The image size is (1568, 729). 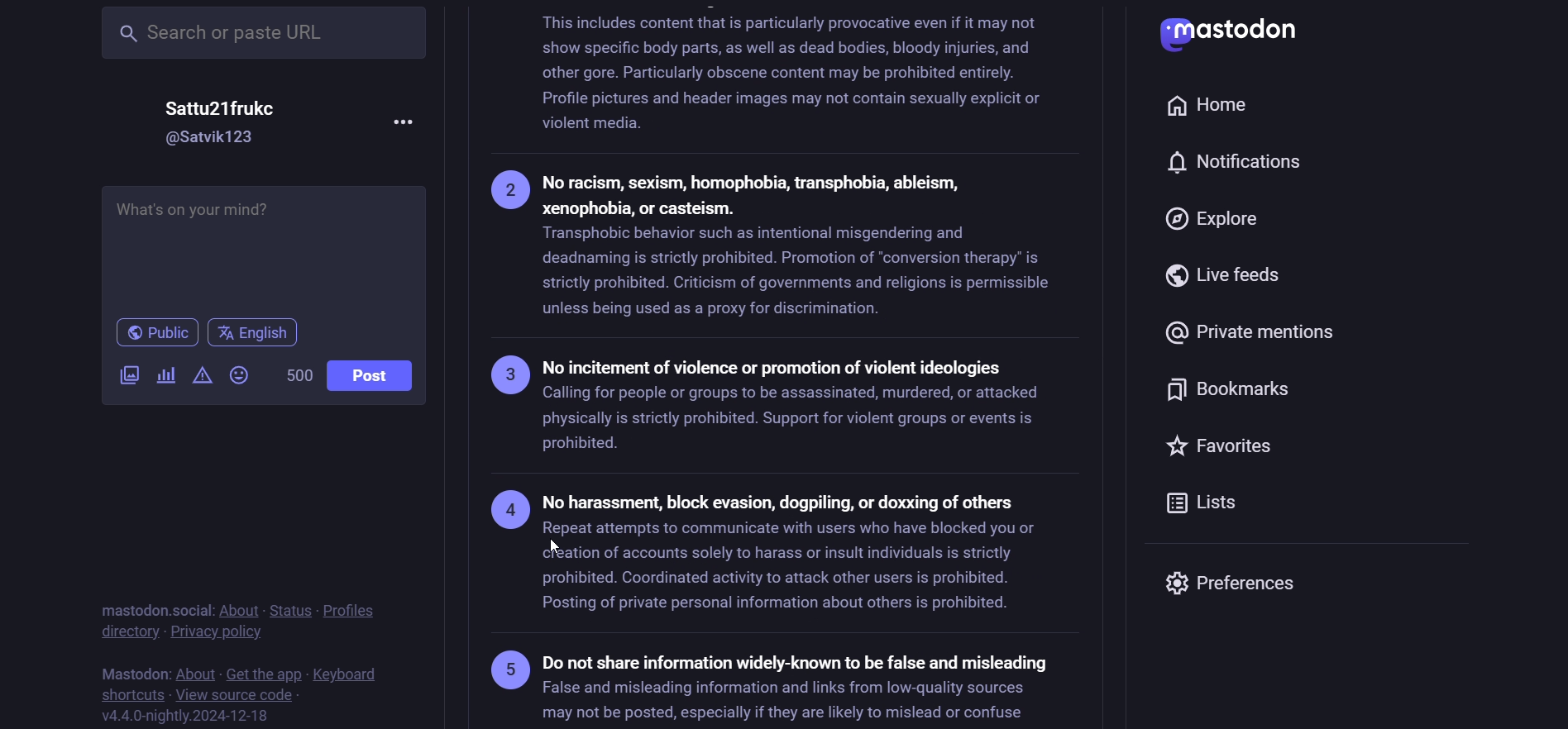 What do you see at coordinates (1244, 163) in the screenshot?
I see `notification` at bounding box center [1244, 163].